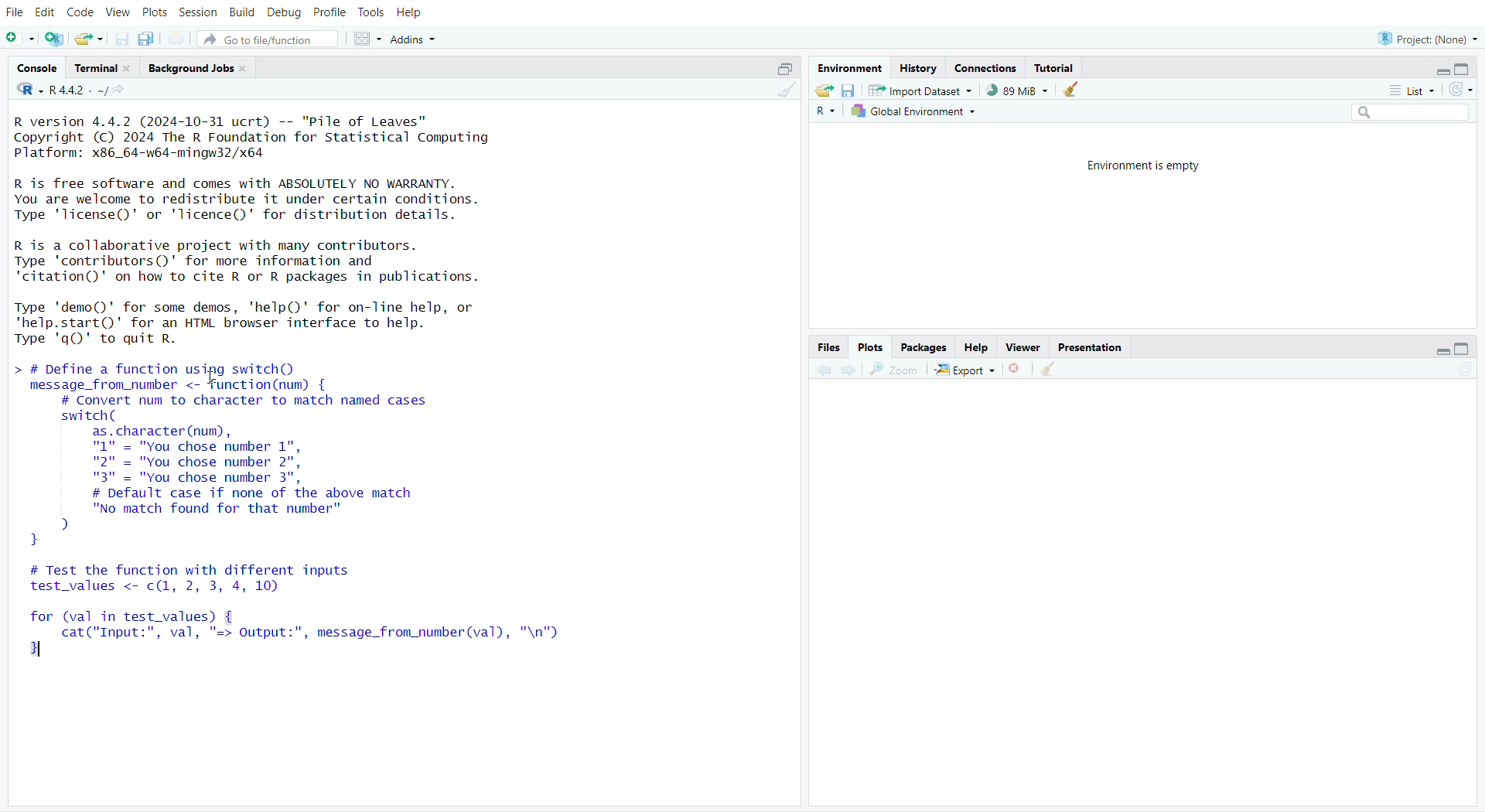  I want to click on Go forward to the next source location (Ctrl + F10), so click(849, 367).